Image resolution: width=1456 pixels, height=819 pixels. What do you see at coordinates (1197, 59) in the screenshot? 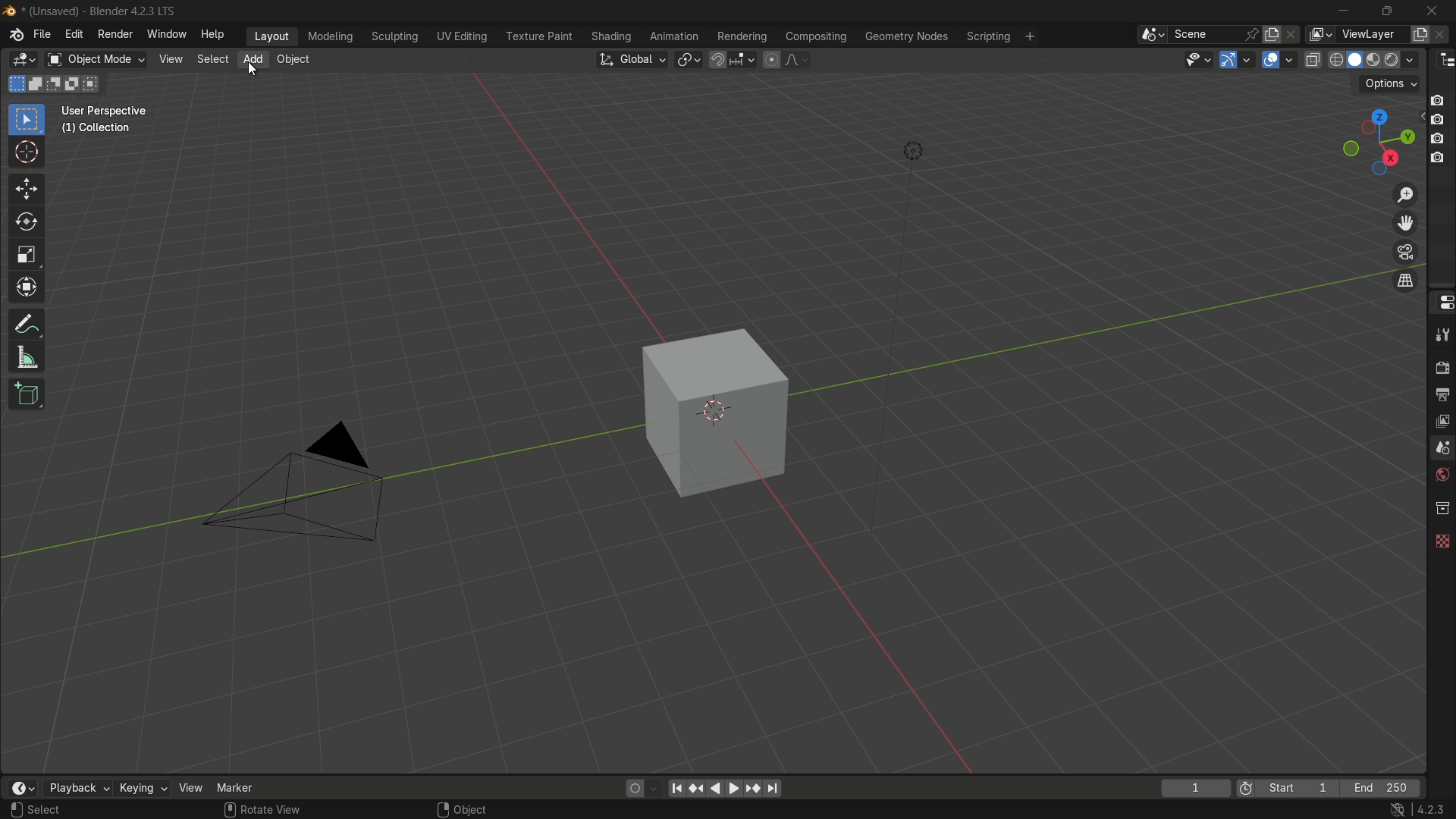
I see `selectability and visibility` at bounding box center [1197, 59].